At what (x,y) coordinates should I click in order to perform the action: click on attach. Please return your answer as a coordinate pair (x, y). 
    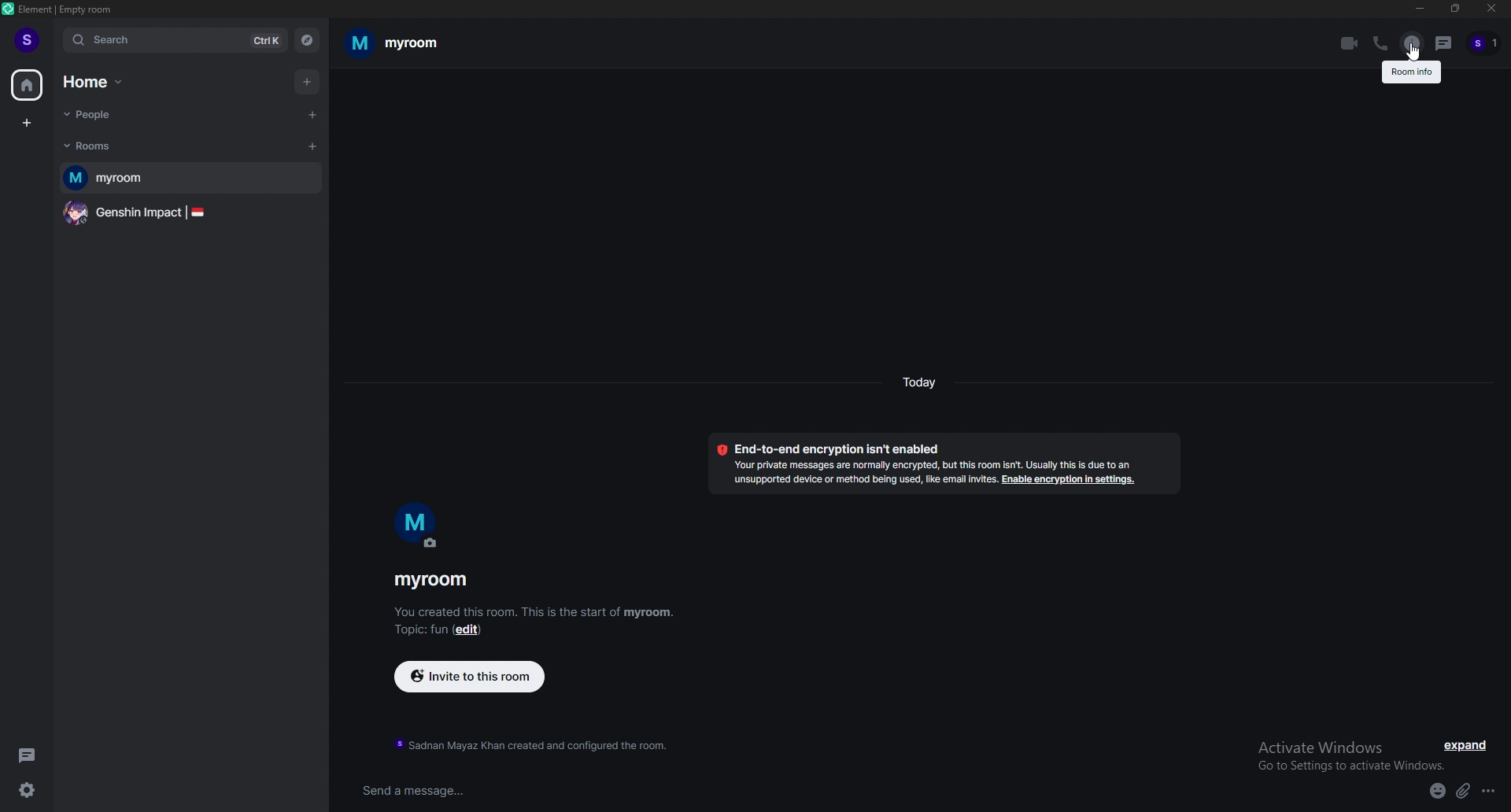
    Looking at the image, I should click on (1465, 791).